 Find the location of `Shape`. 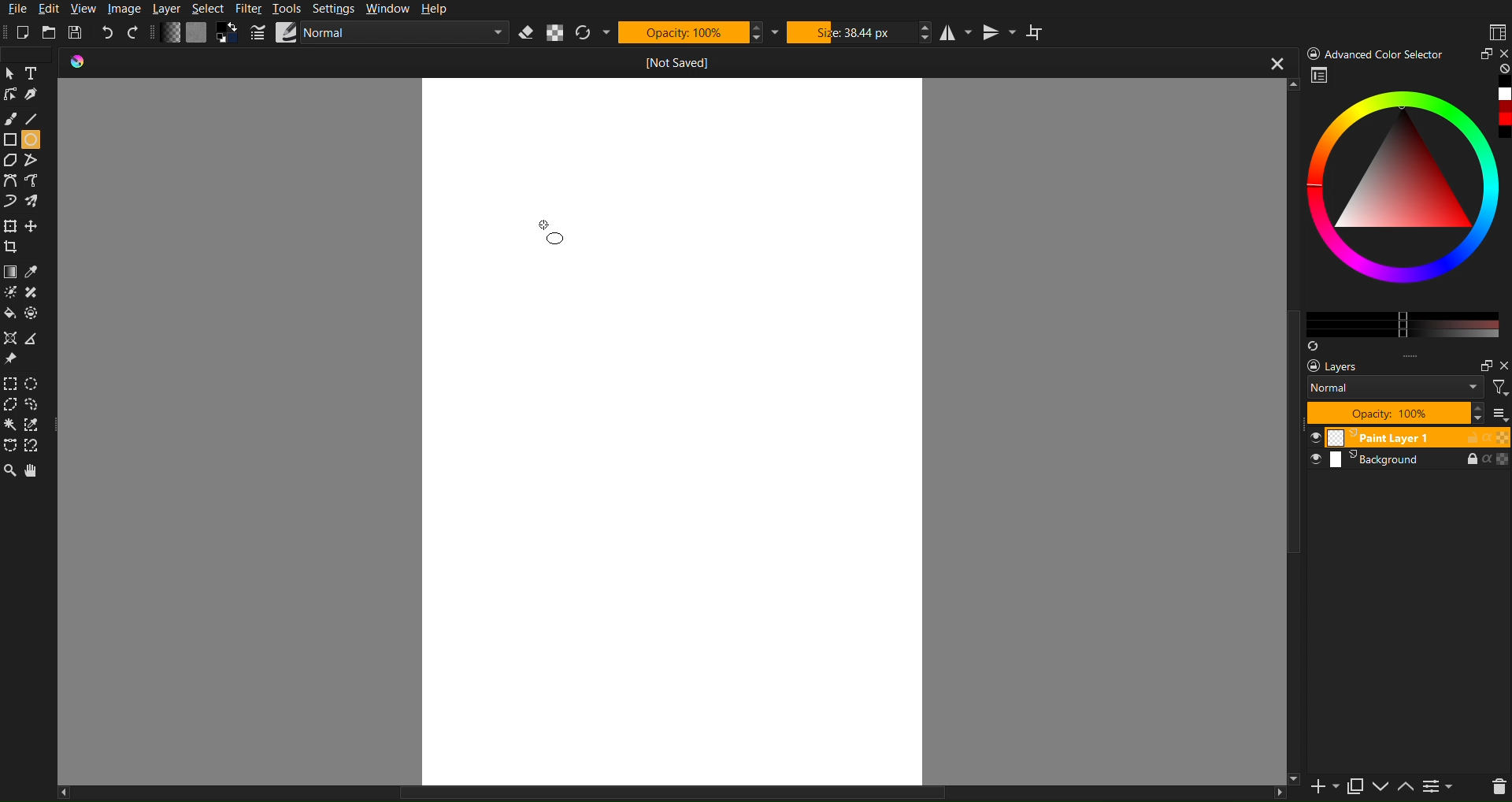

Shape is located at coordinates (30, 313).